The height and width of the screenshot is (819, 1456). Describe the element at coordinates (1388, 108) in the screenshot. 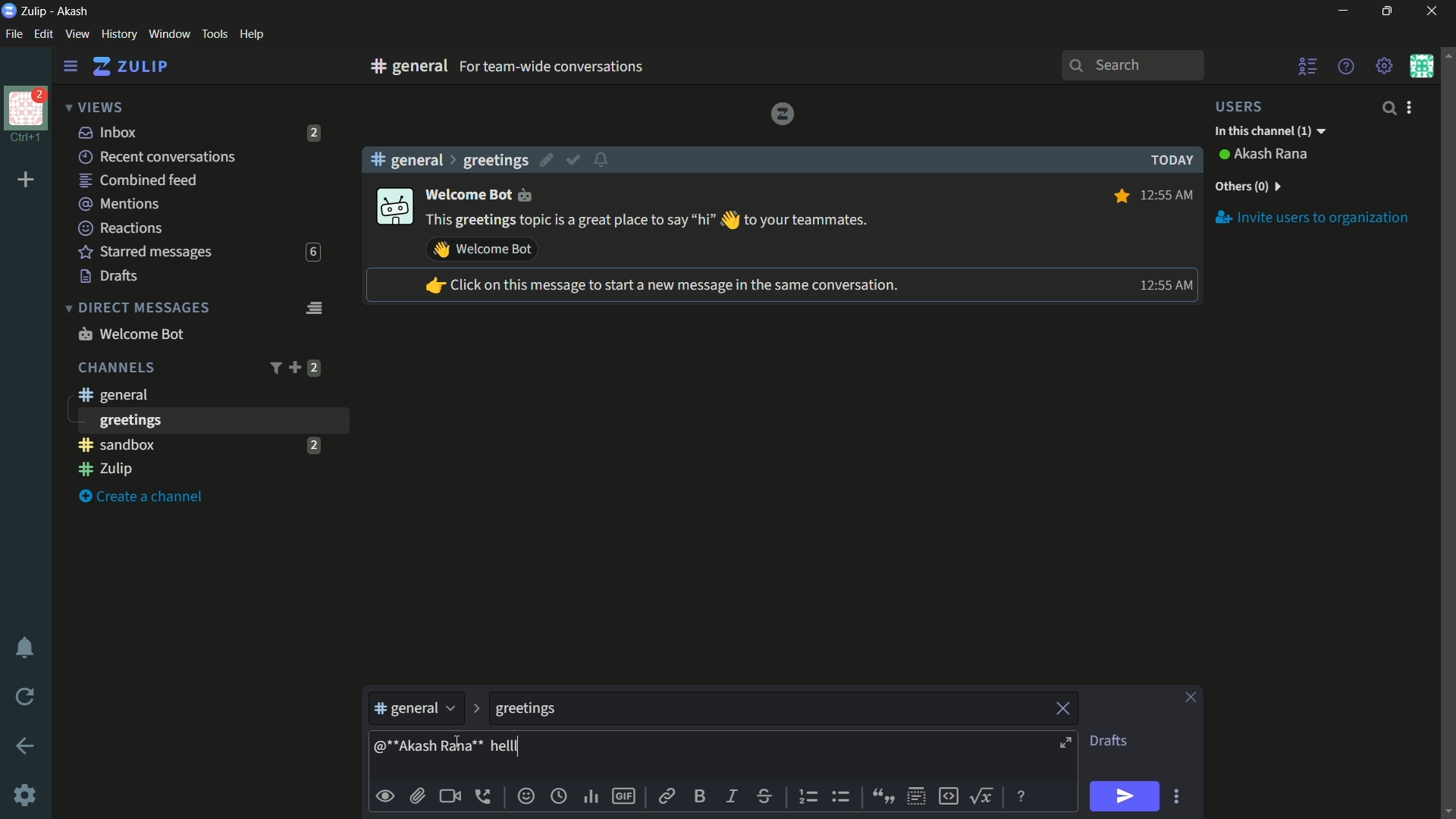

I see `search` at that location.